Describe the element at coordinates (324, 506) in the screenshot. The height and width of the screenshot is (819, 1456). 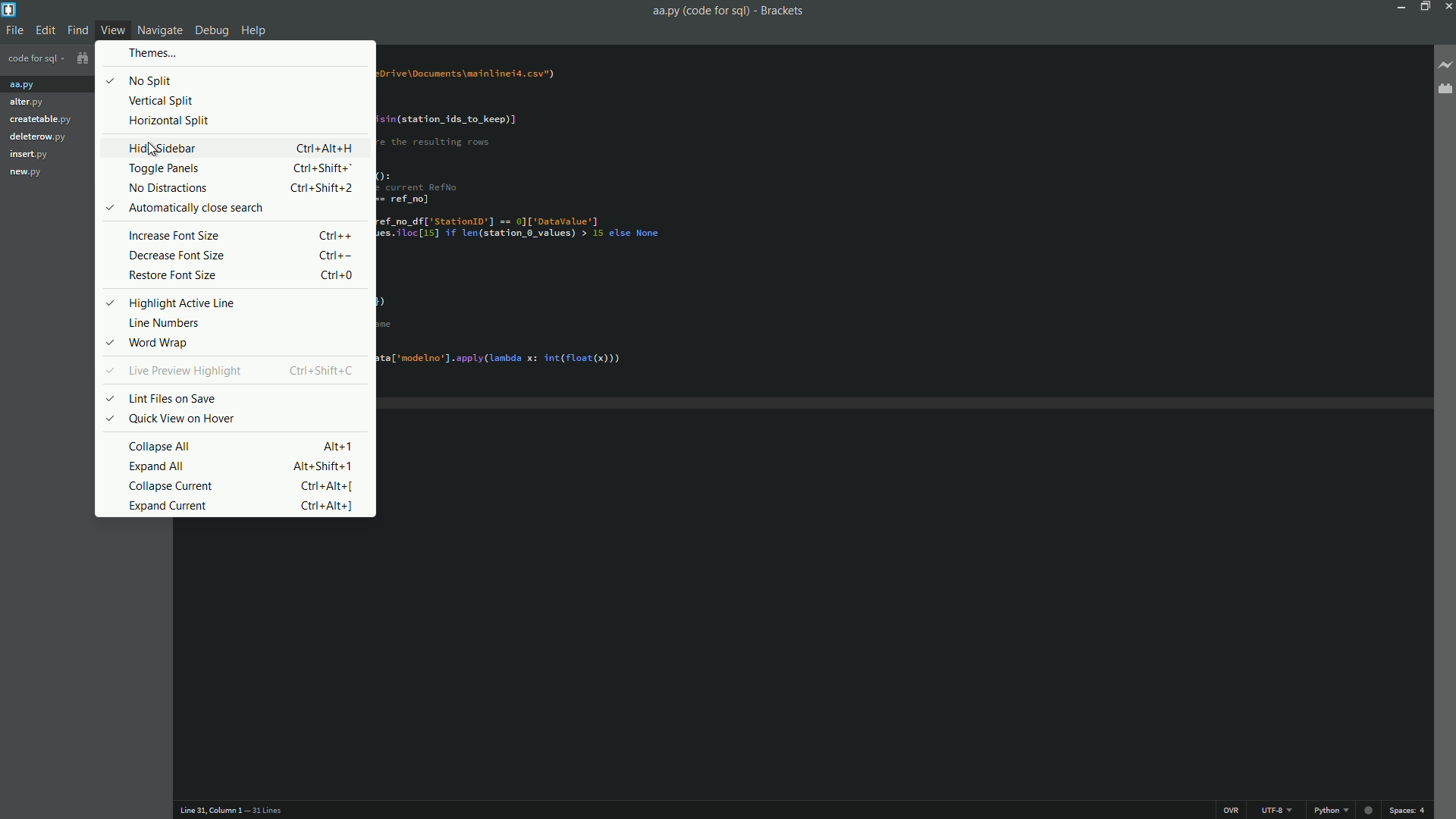
I see `keyboard shortcut` at that location.